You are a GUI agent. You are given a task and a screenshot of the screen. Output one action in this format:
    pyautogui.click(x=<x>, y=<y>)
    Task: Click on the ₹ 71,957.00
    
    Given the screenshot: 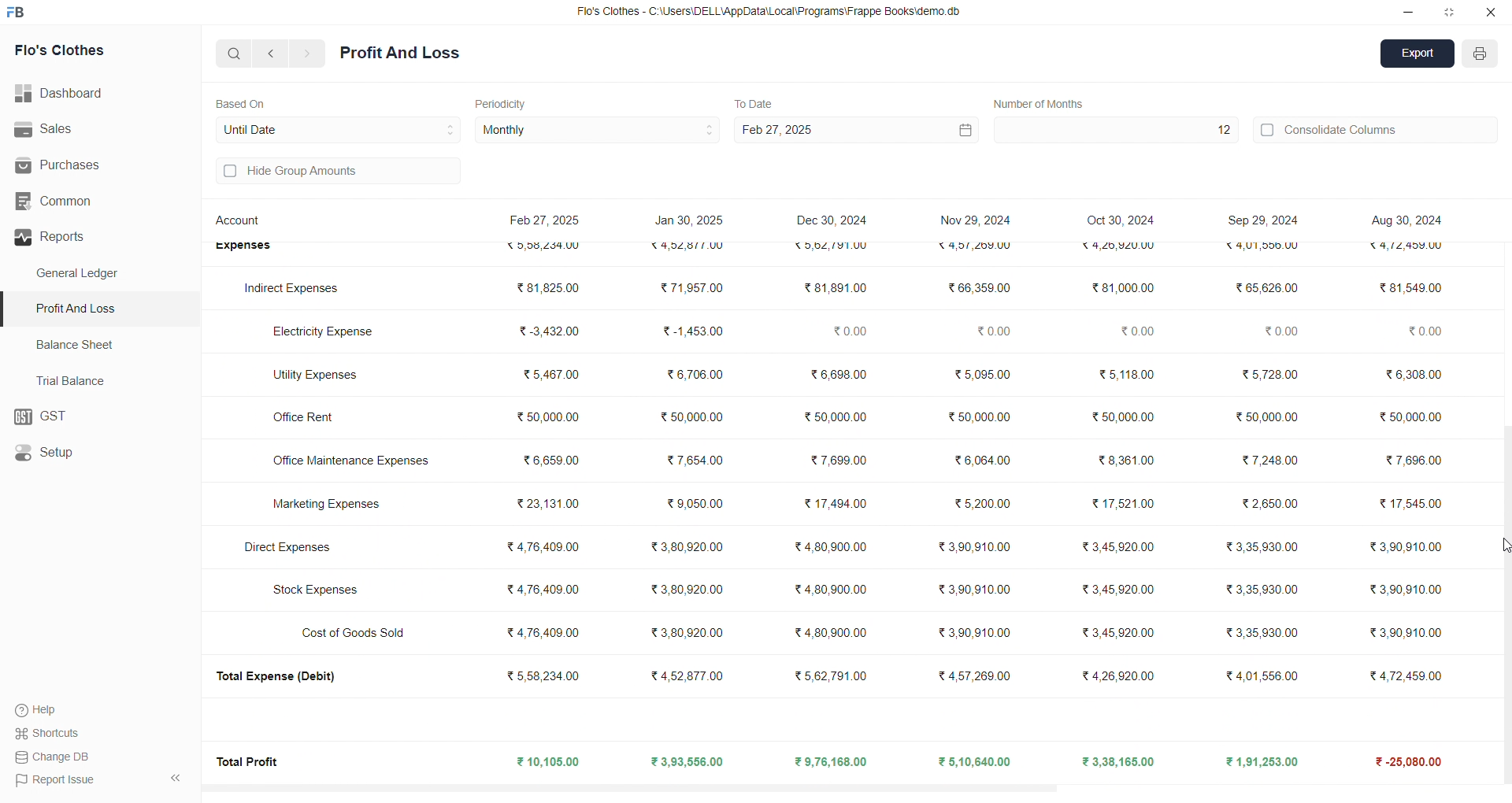 What is the action you would take?
    pyautogui.click(x=691, y=289)
    